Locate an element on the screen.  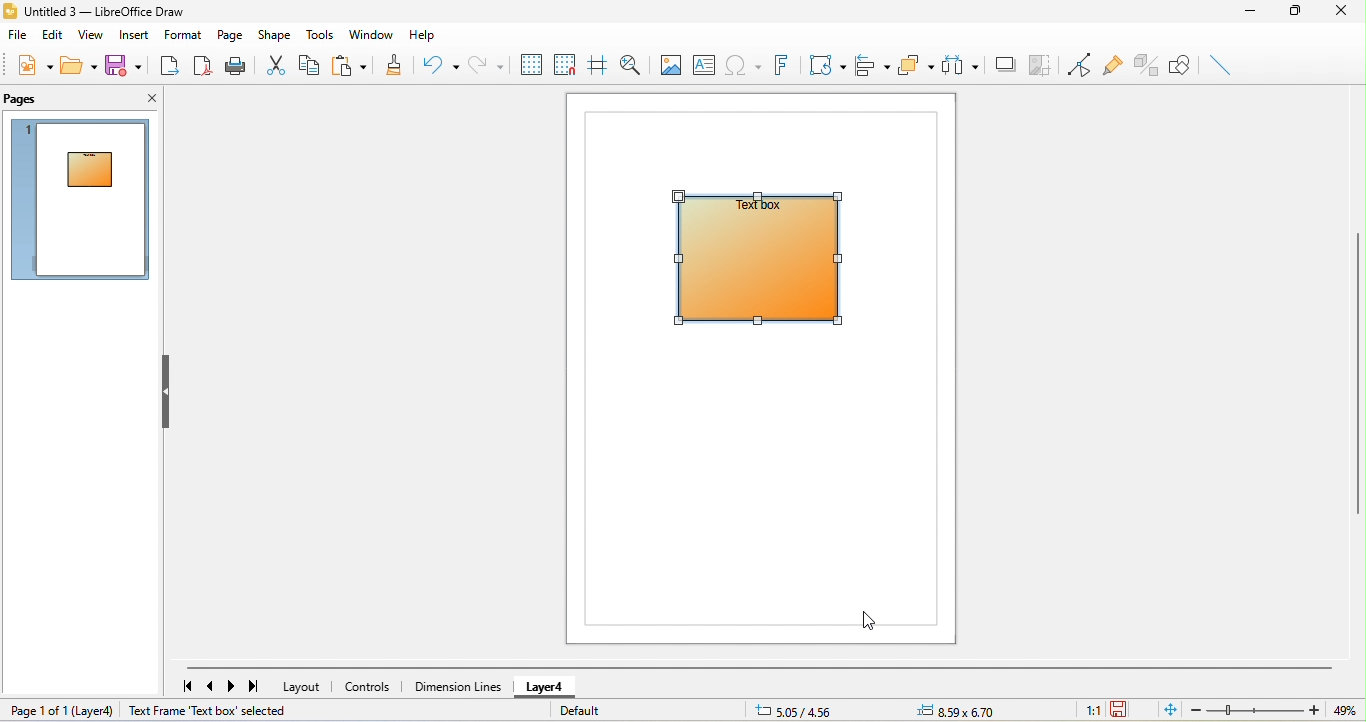
layer 4 is located at coordinates (97, 711).